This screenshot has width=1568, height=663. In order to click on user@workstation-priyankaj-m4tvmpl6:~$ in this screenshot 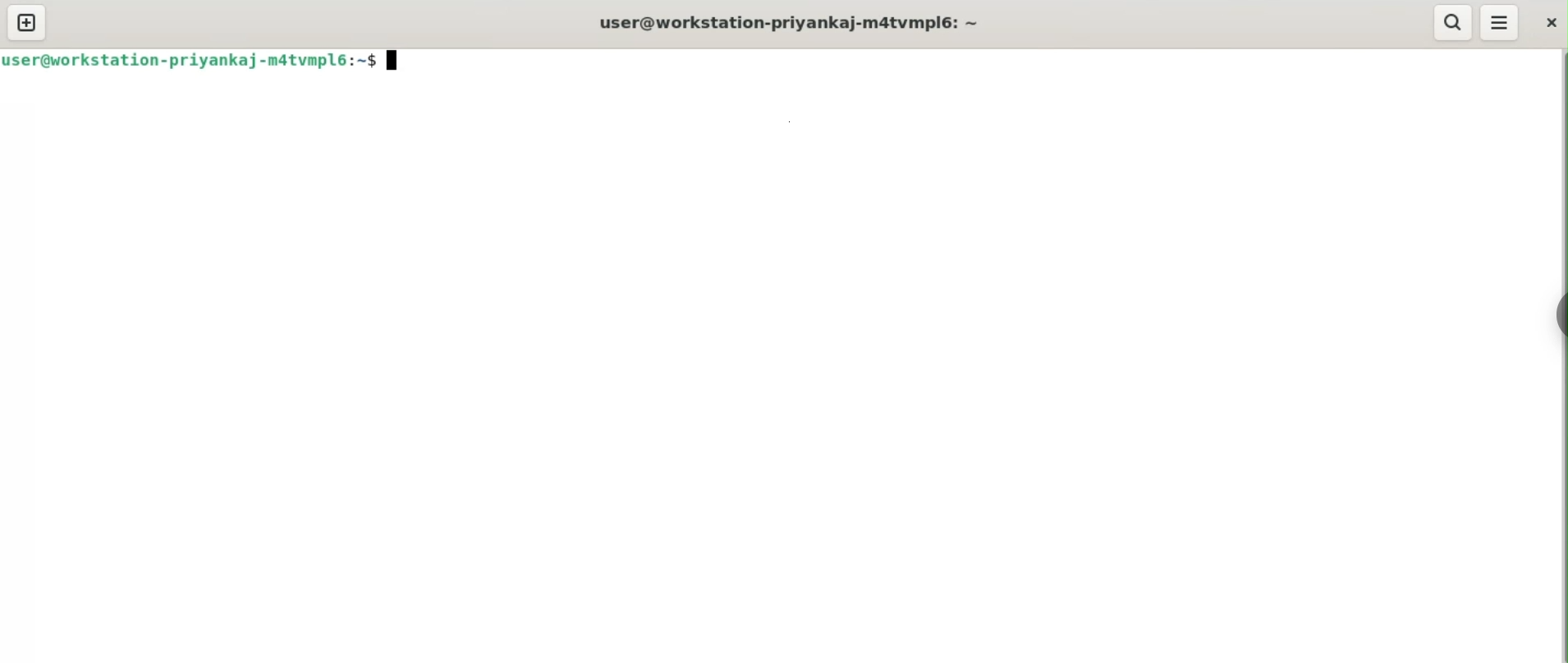, I will do `click(190, 60)`.